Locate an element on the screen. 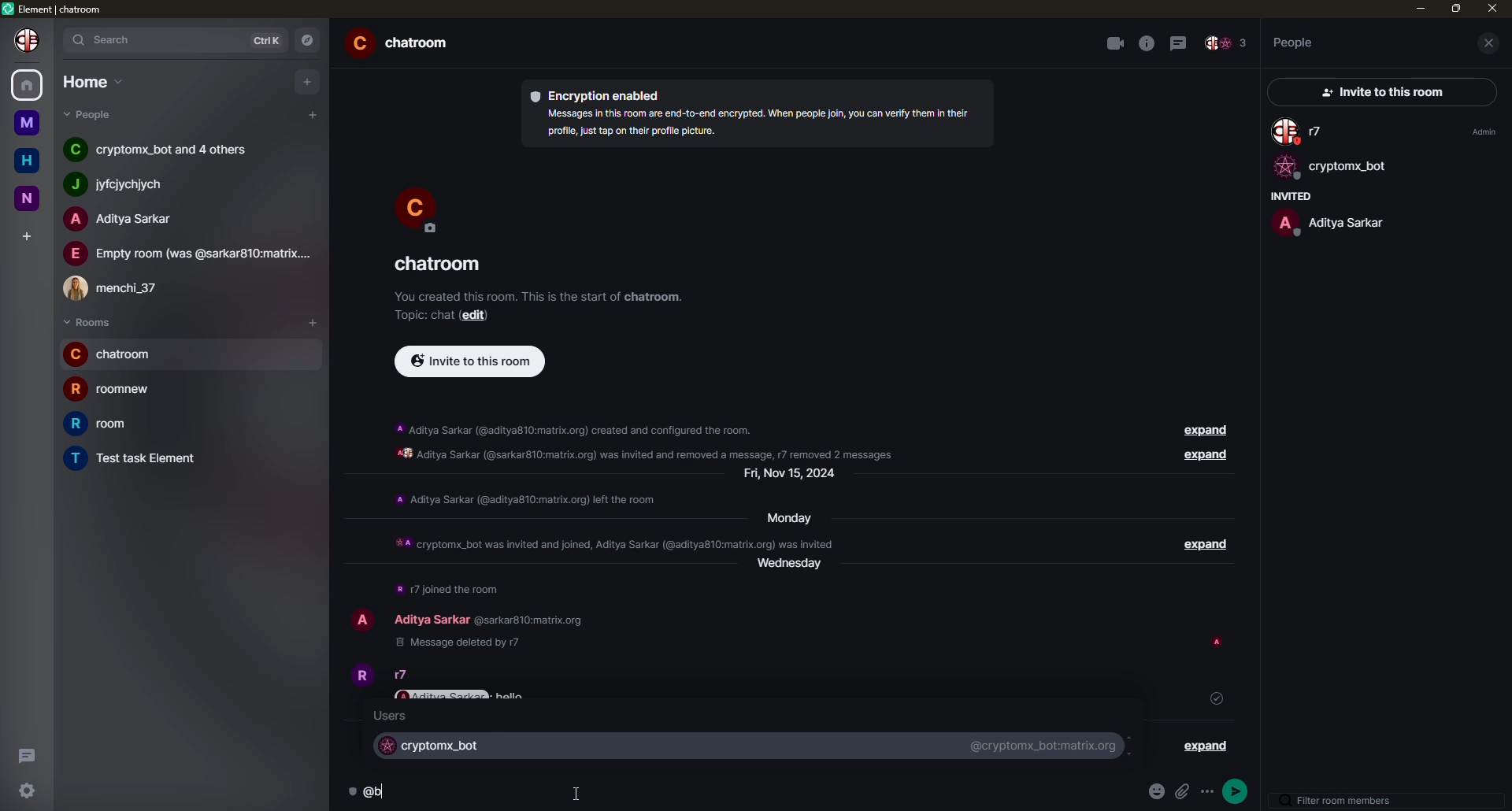 The width and height of the screenshot is (1512, 811). filter room members is located at coordinates (1341, 801).